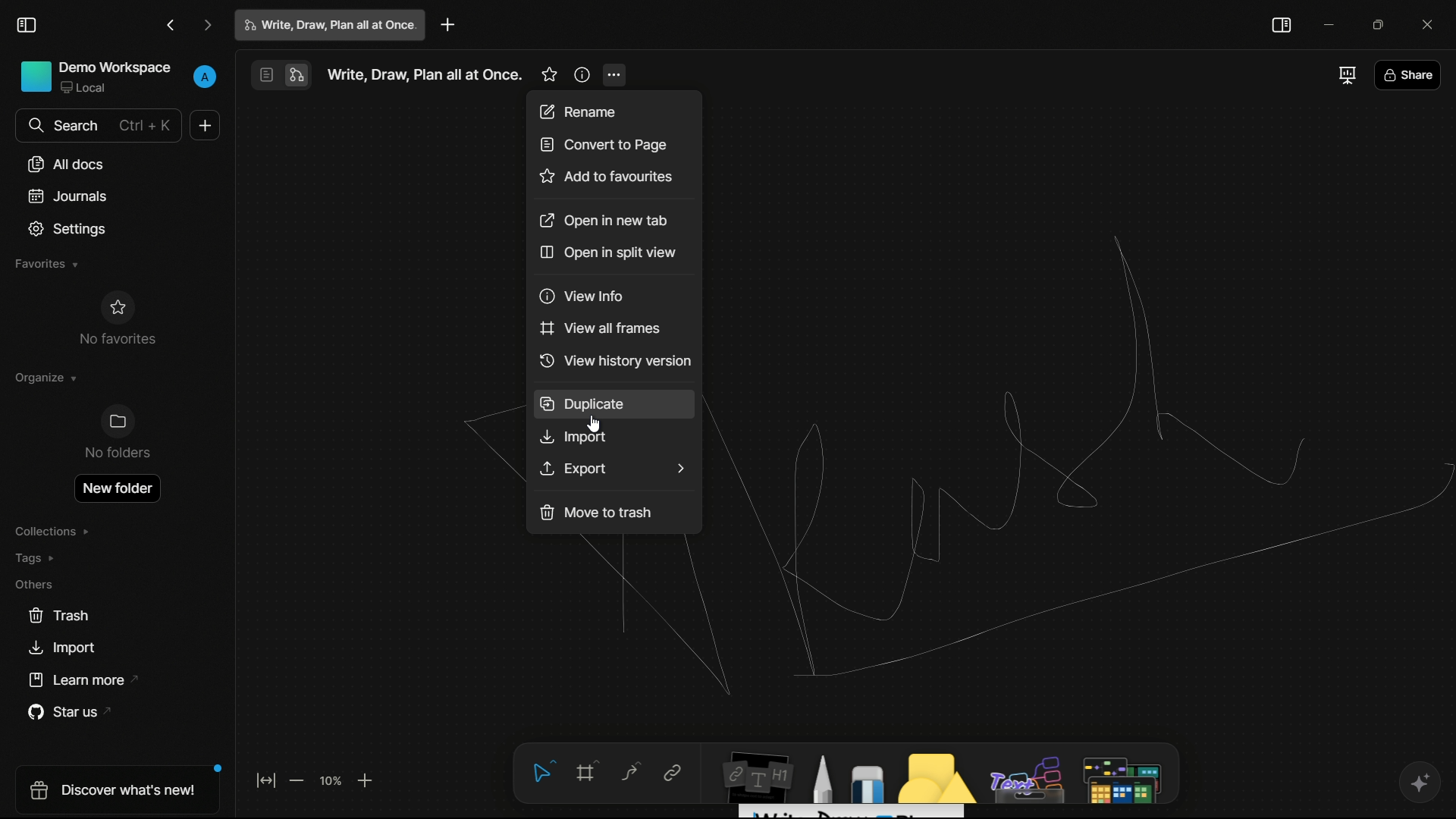 The height and width of the screenshot is (819, 1456). I want to click on shapes, so click(939, 774).